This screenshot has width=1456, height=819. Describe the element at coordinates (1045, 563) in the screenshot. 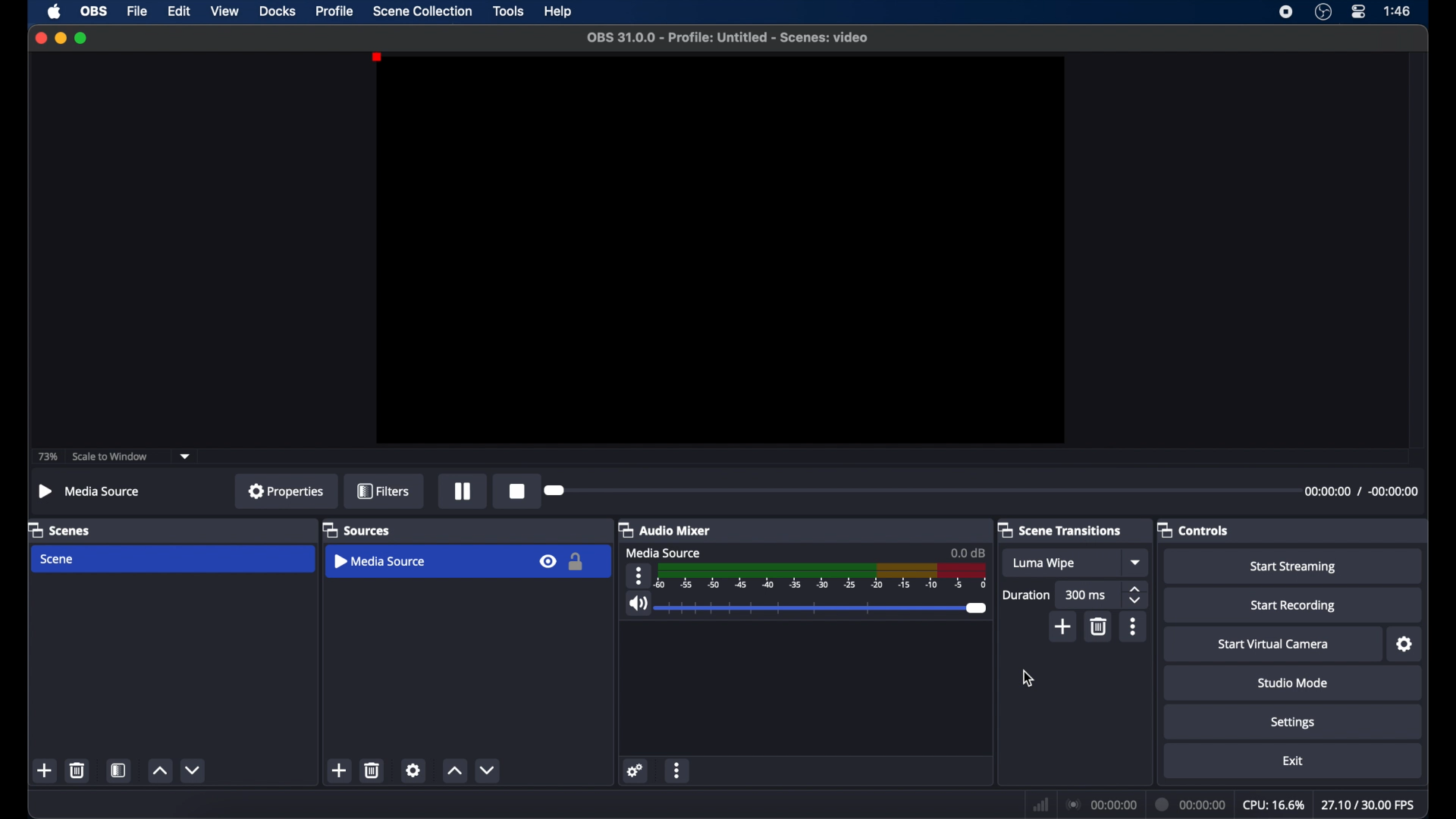

I see `luma wipe` at that location.